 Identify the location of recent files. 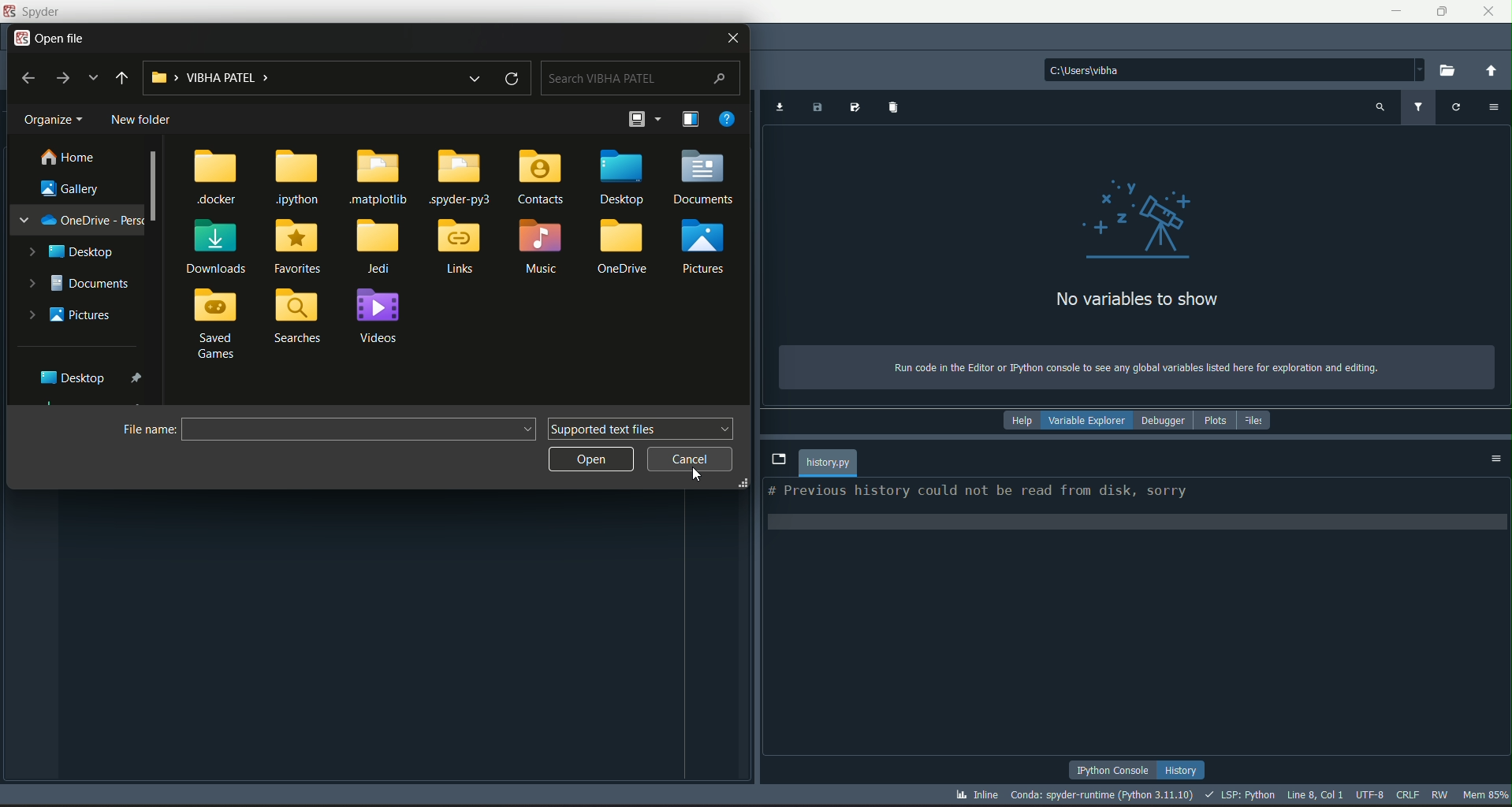
(472, 78).